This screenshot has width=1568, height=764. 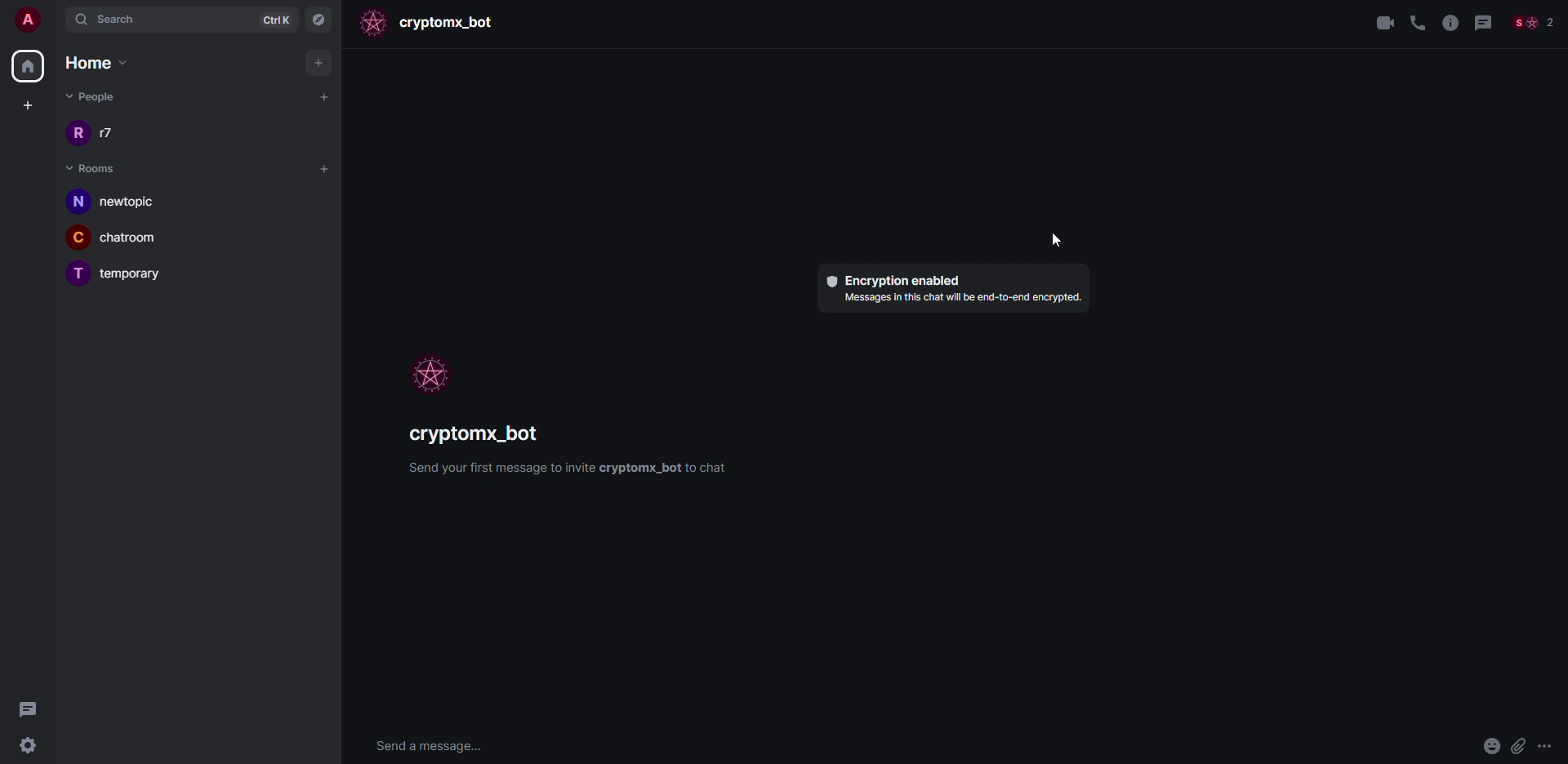 I want to click on create space, so click(x=28, y=104).